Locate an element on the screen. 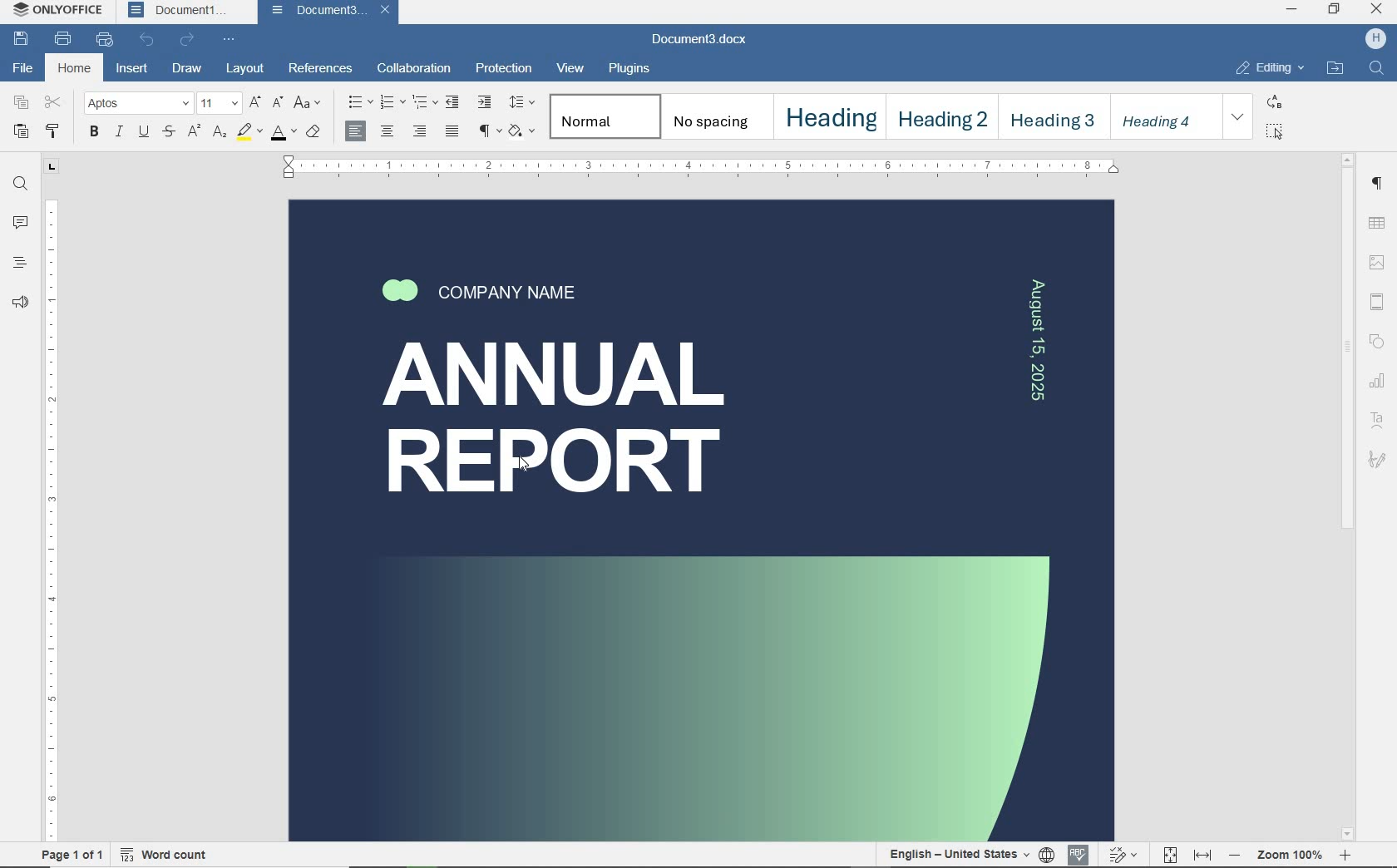 This screenshot has height=868, width=1397. ruler is located at coordinates (52, 517).